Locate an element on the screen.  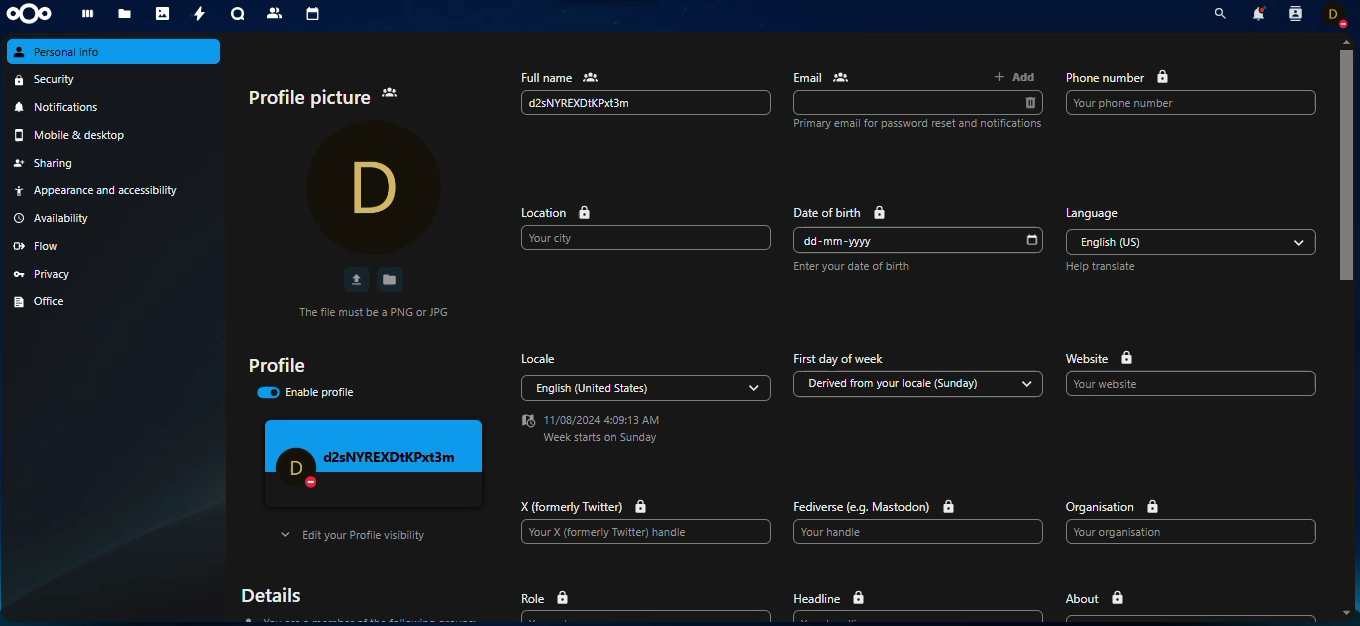
activity is located at coordinates (197, 15).